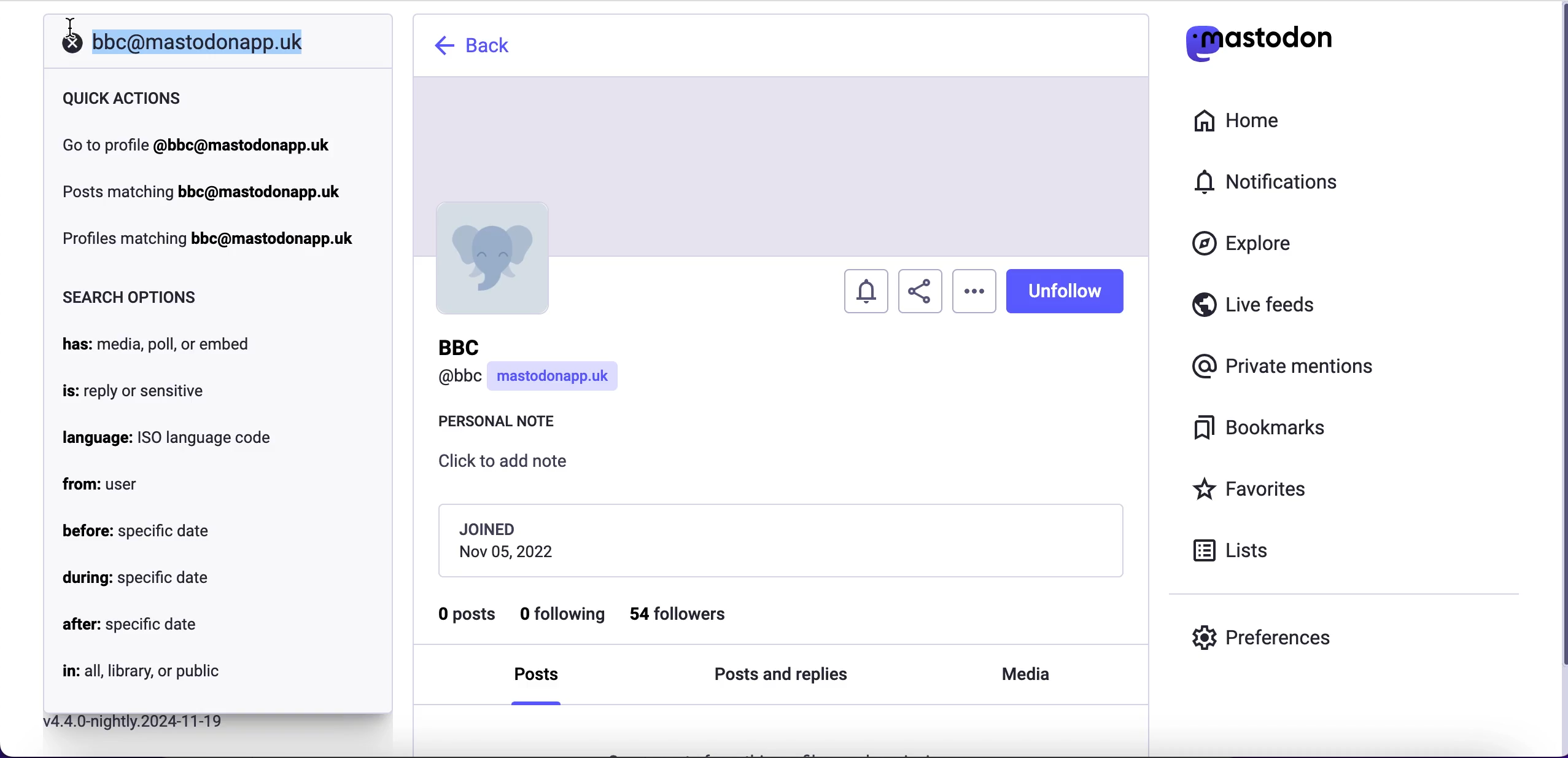  Describe the element at coordinates (1254, 491) in the screenshot. I see `favorites` at that location.